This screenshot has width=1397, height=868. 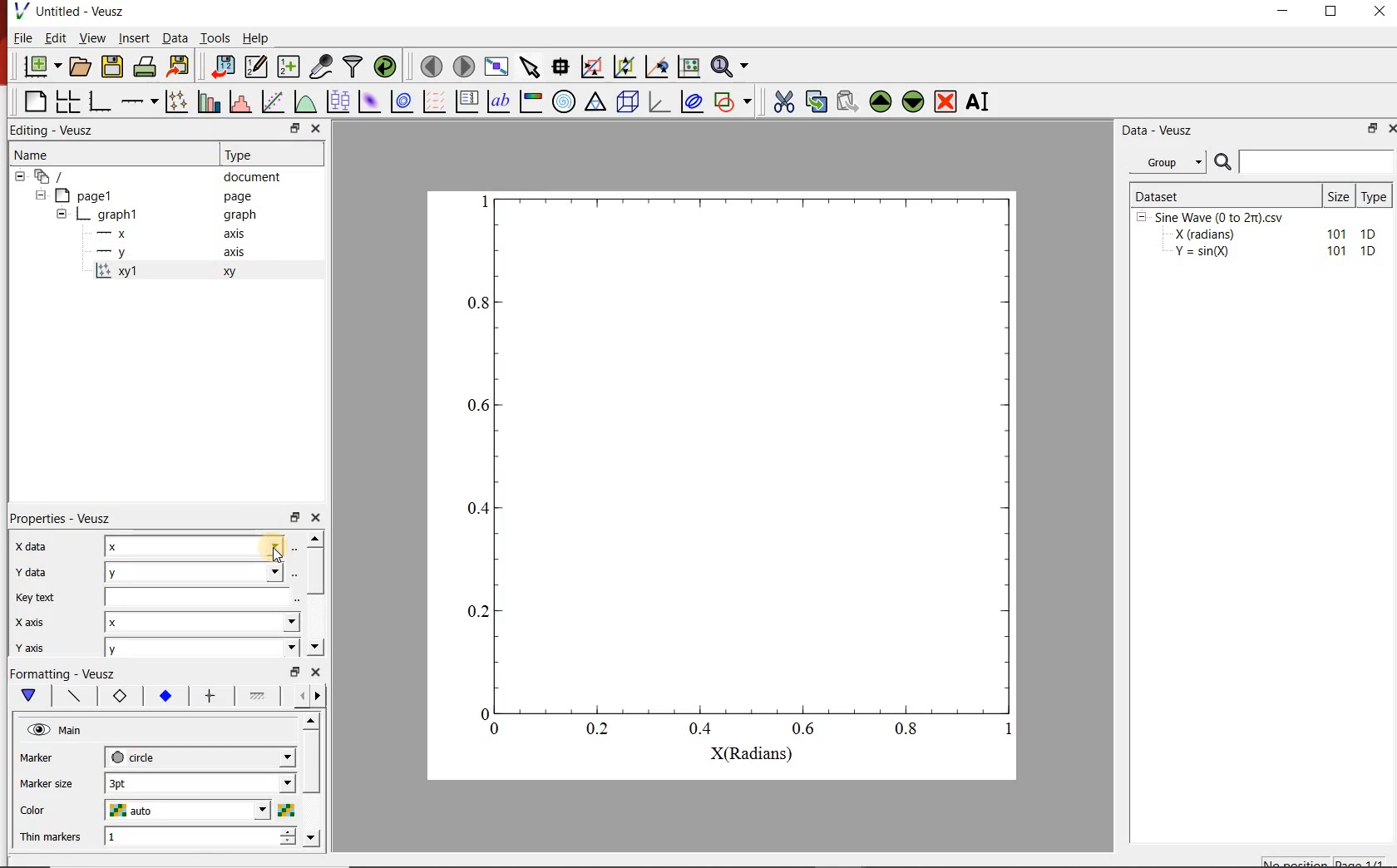 What do you see at coordinates (81, 67) in the screenshot?
I see `open document` at bounding box center [81, 67].